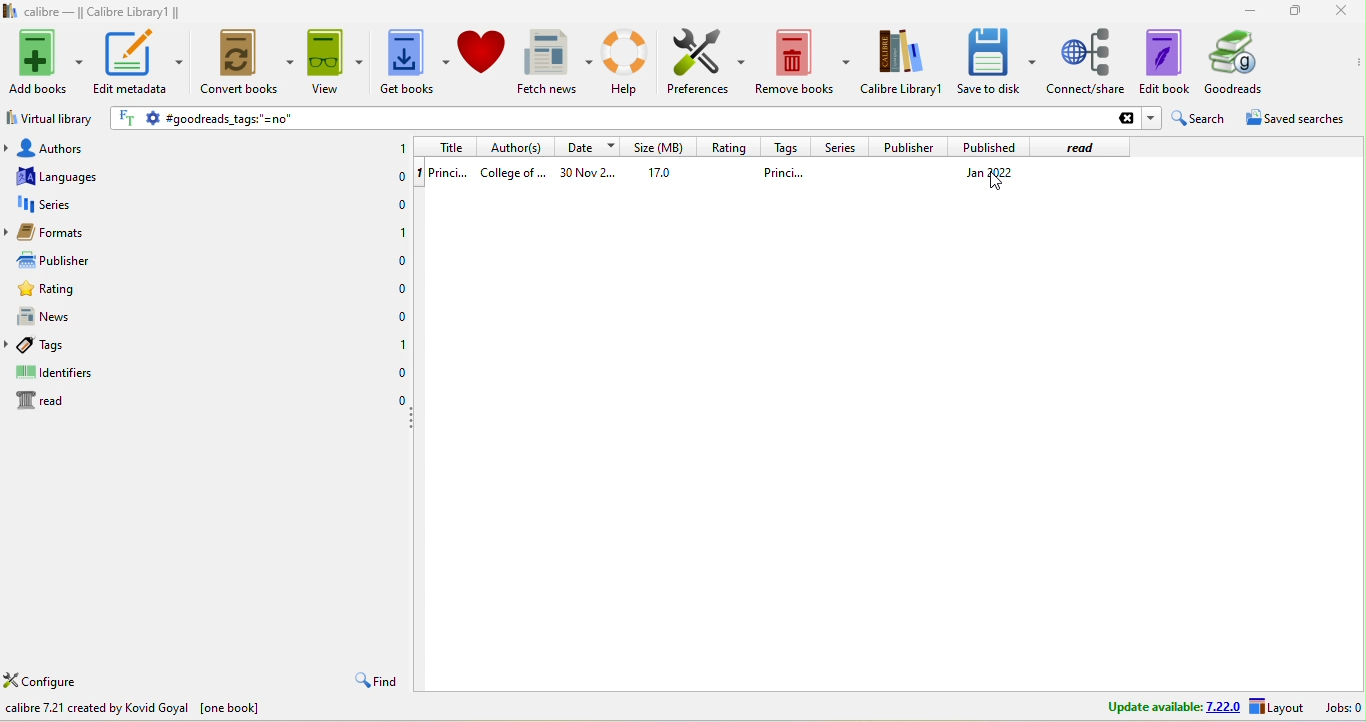 The height and width of the screenshot is (722, 1366). Describe the element at coordinates (1342, 709) in the screenshot. I see `jobs 0` at that location.